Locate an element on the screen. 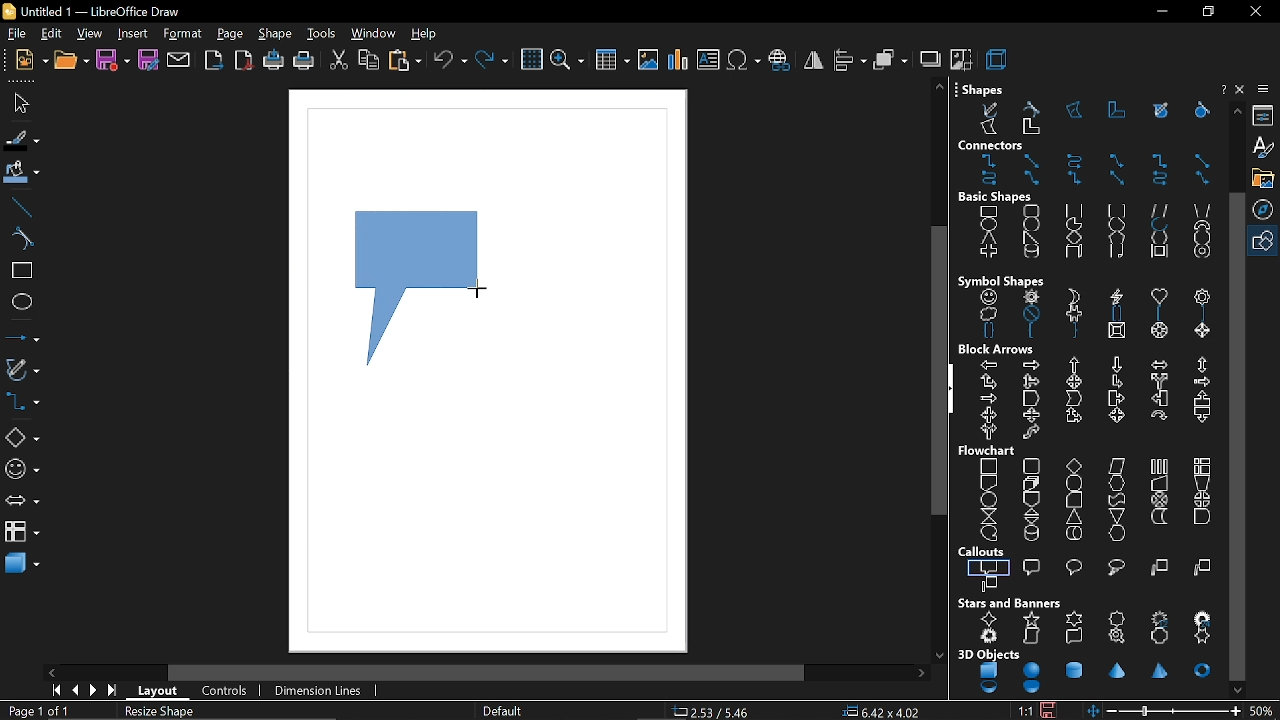 The width and height of the screenshot is (1280, 720). cone is located at coordinates (1119, 670).